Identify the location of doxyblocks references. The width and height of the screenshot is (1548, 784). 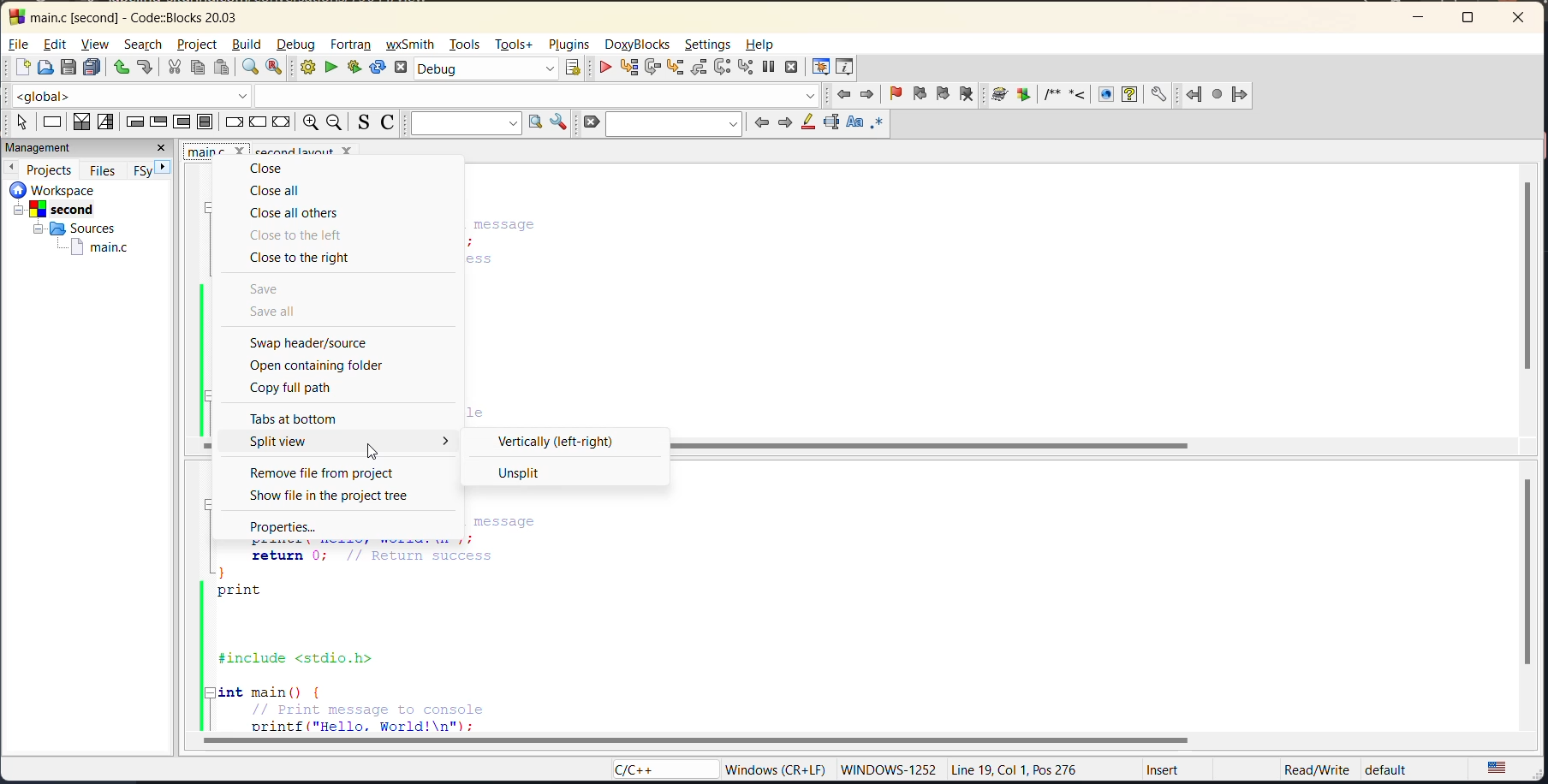
(1078, 95).